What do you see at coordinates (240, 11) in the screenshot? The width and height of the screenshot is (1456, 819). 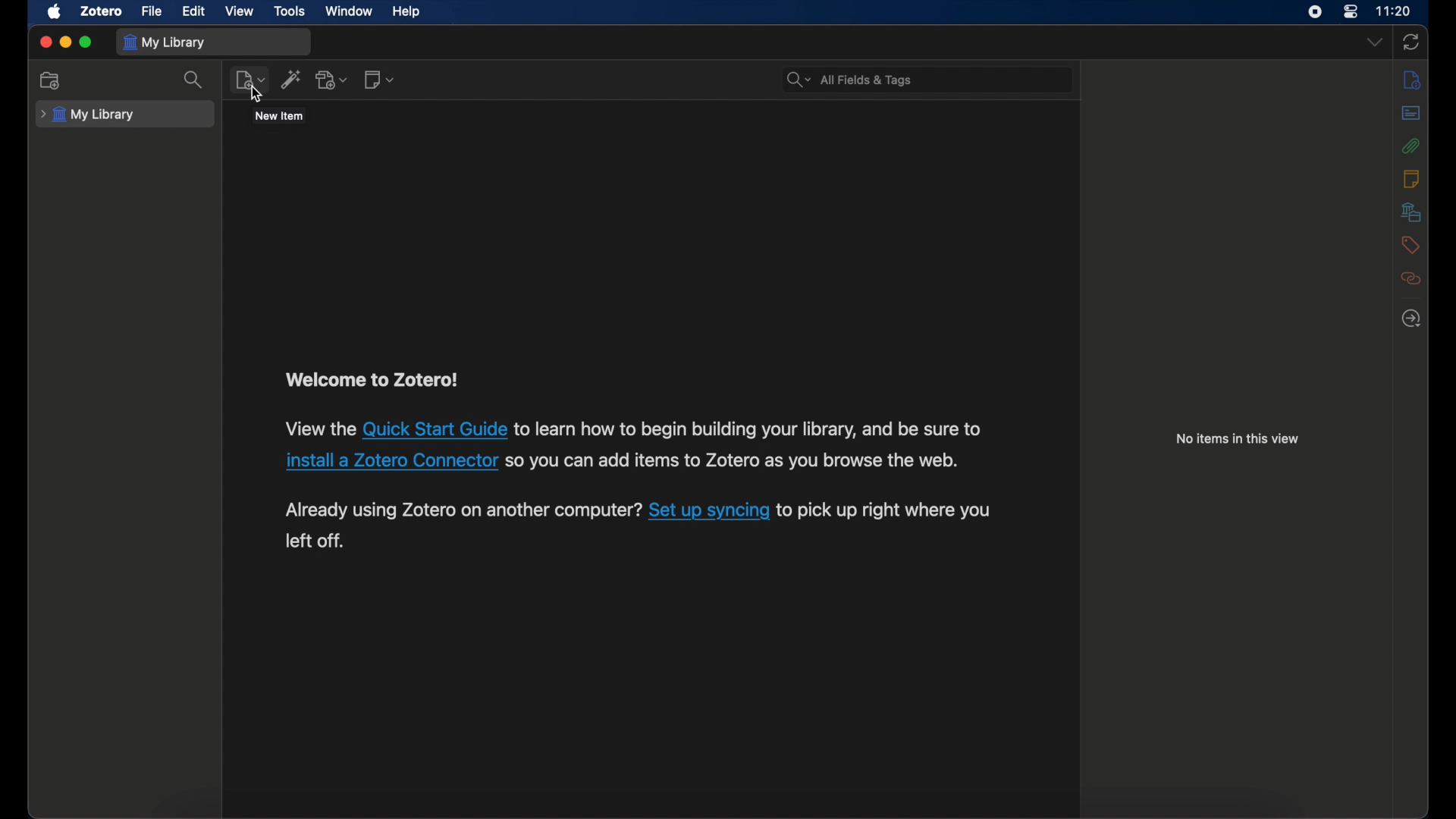 I see `view` at bounding box center [240, 11].